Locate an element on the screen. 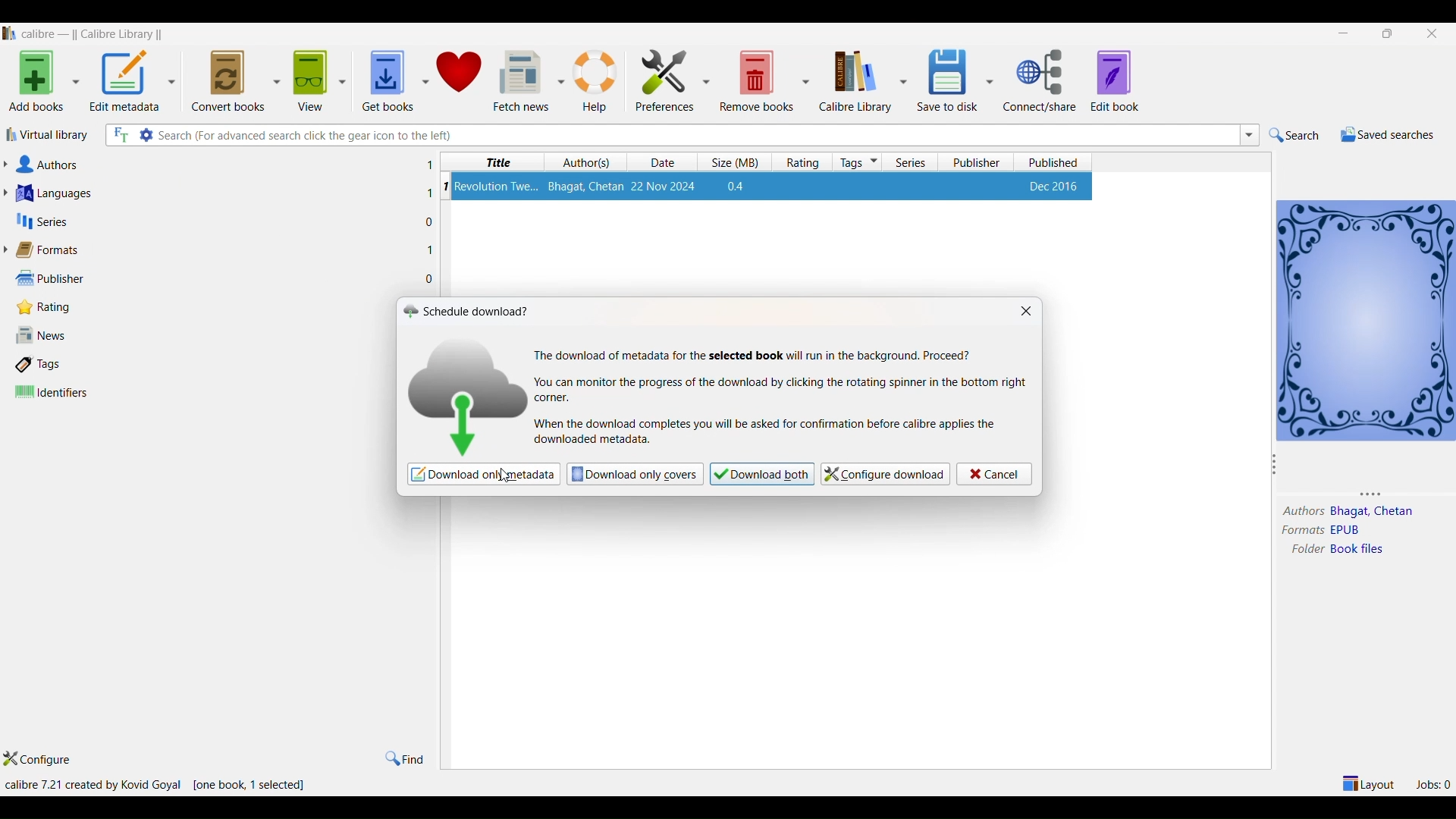 The width and height of the screenshot is (1456, 819). authors is located at coordinates (588, 162).